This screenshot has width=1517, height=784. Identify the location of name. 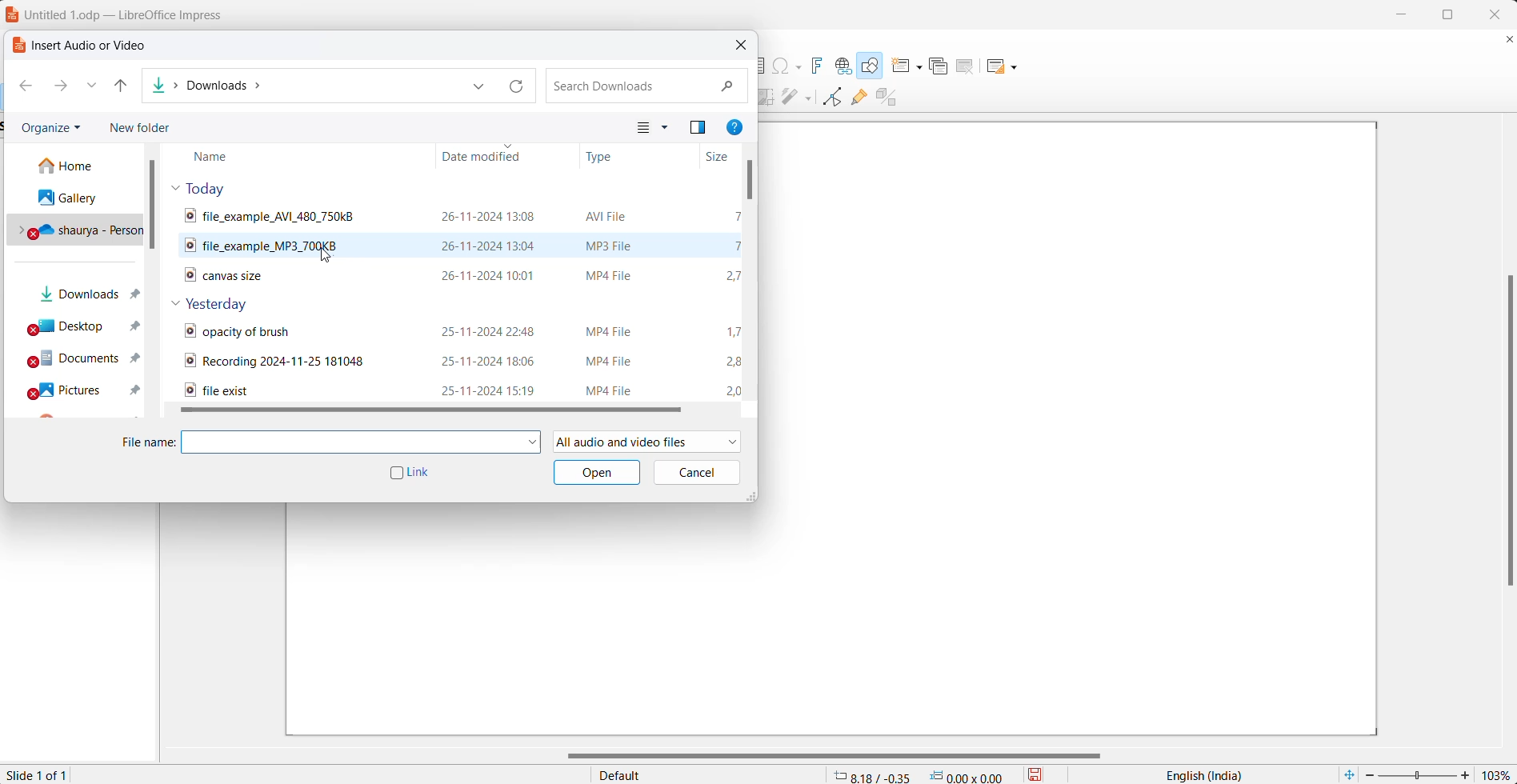
(247, 155).